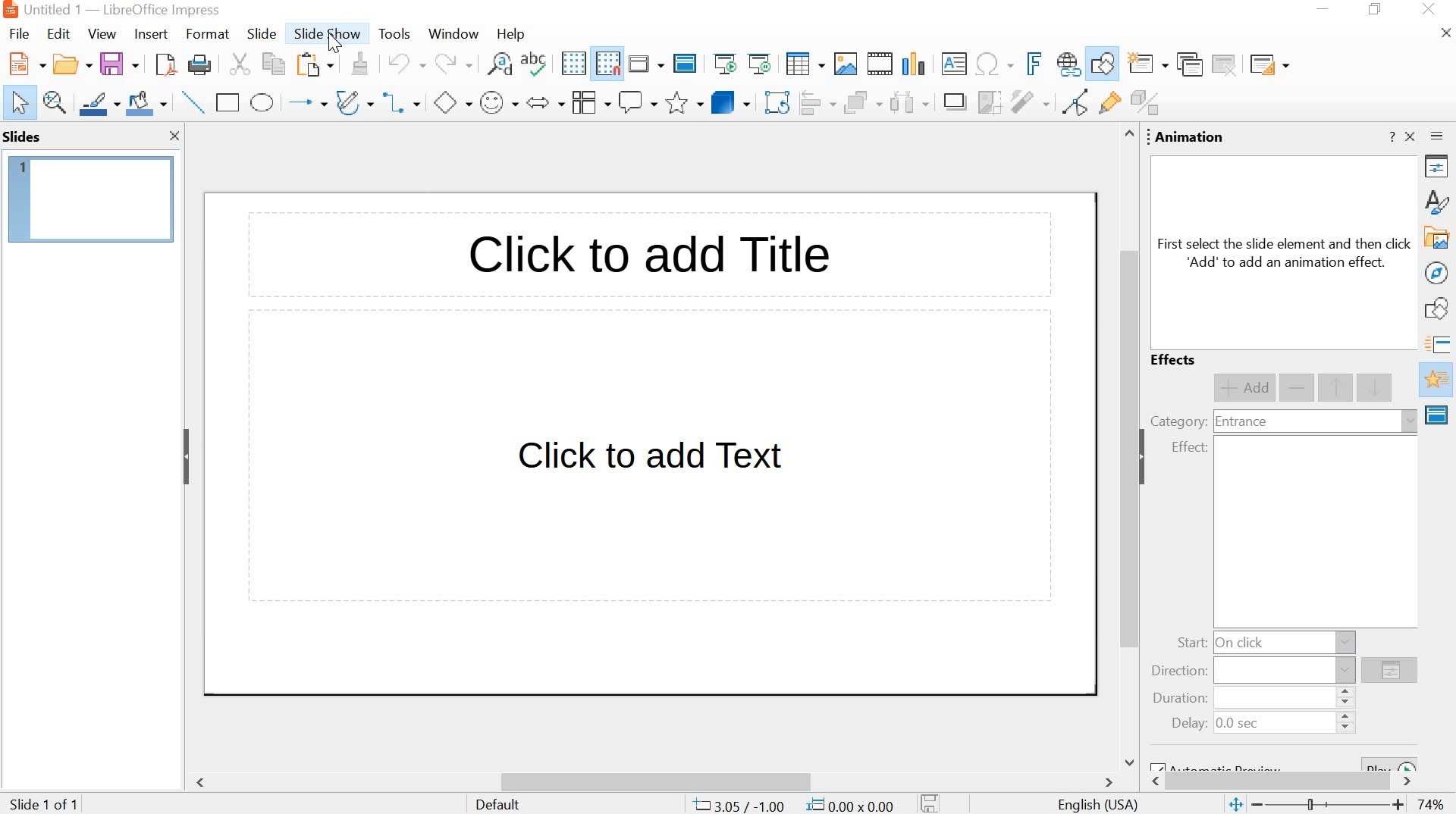 The width and height of the screenshot is (1456, 814). I want to click on click to add text, so click(653, 462).